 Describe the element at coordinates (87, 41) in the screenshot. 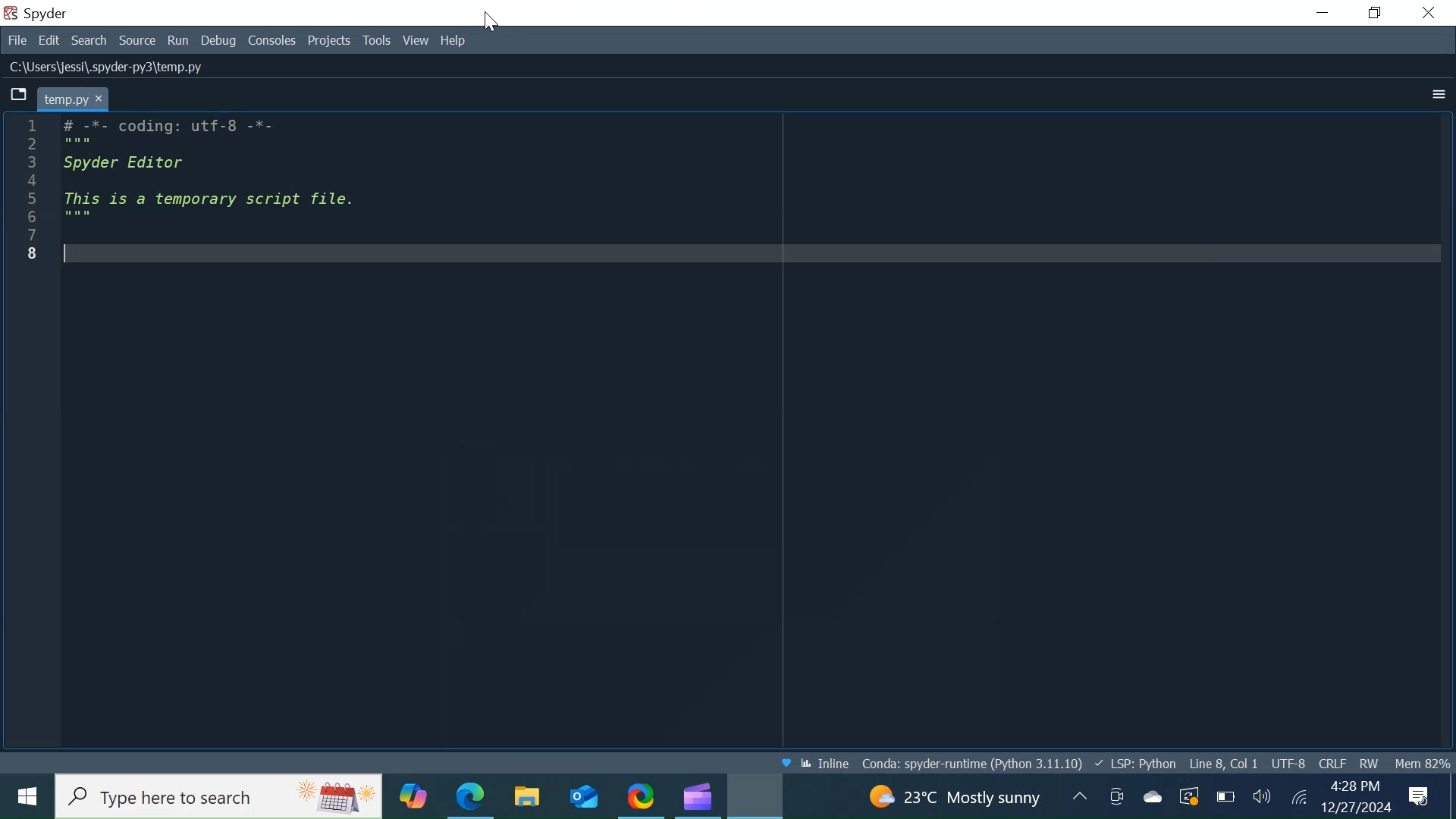

I see `Search` at that location.